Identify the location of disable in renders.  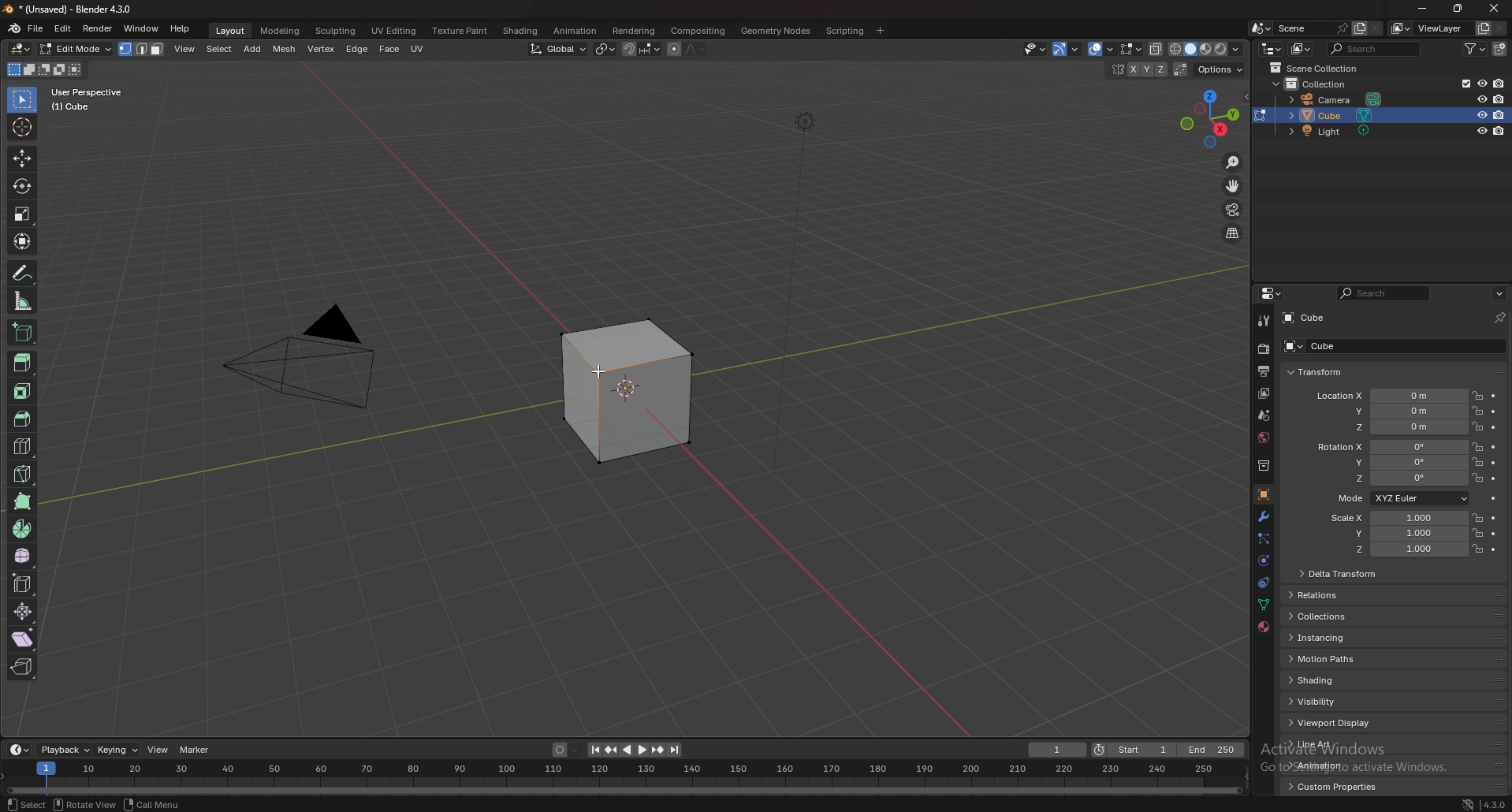
(1499, 115).